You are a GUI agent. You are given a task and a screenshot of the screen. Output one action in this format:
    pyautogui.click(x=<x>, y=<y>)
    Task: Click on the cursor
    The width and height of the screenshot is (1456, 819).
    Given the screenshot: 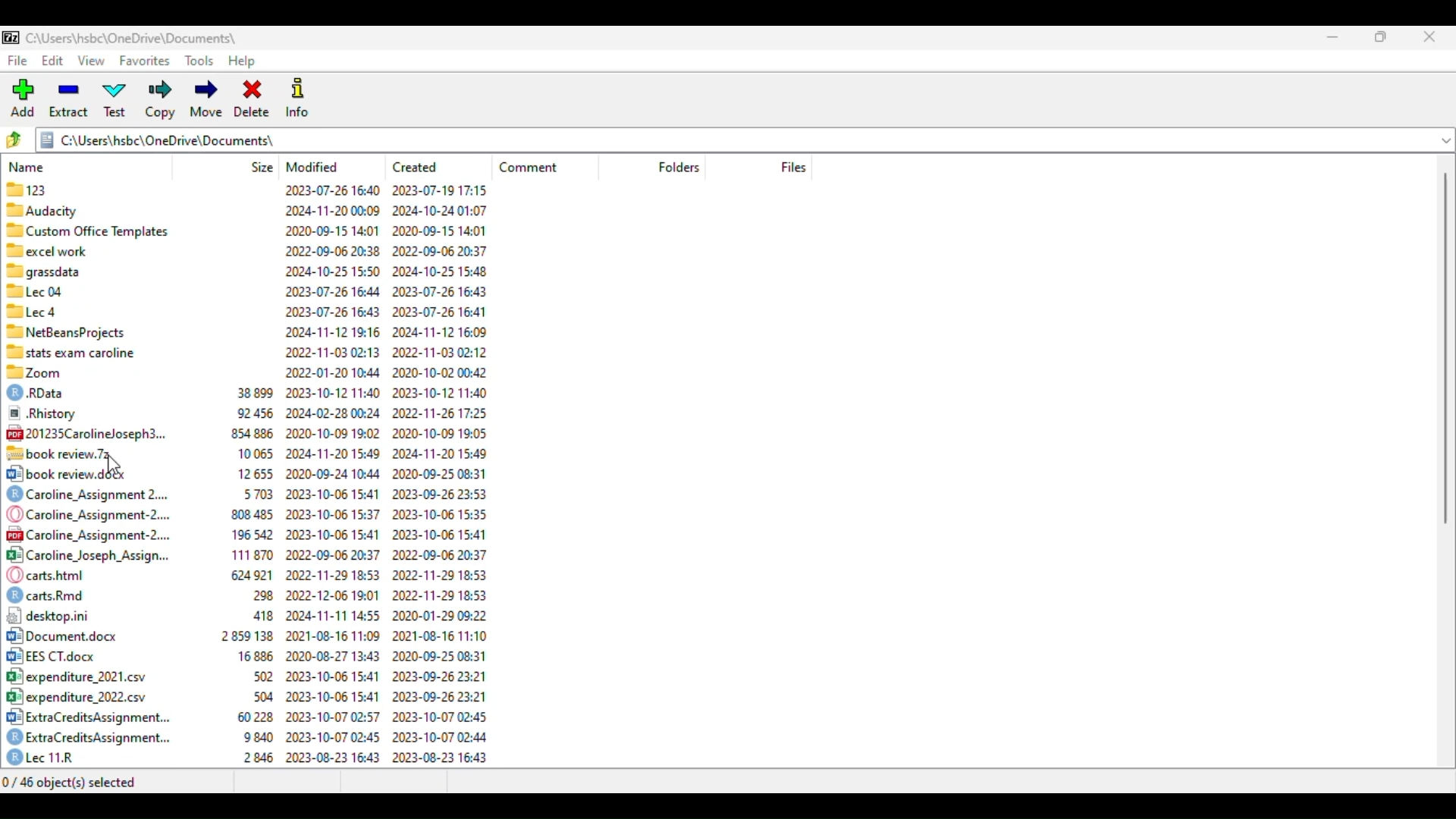 What is the action you would take?
    pyautogui.click(x=115, y=465)
    